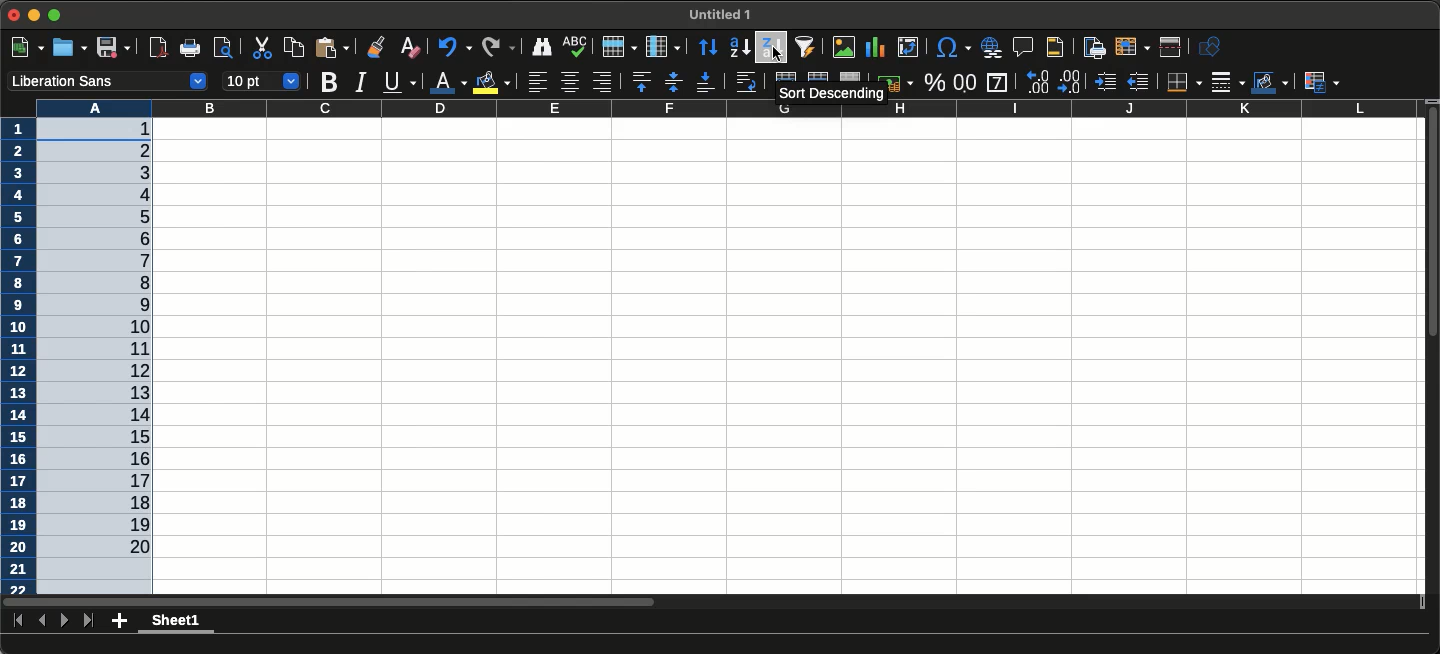 The height and width of the screenshot is (654, 1440). What do you see at coordinates (410, 48) in the screenshot?
I see `Clear direct formatting` at bounding box center [410, 48].